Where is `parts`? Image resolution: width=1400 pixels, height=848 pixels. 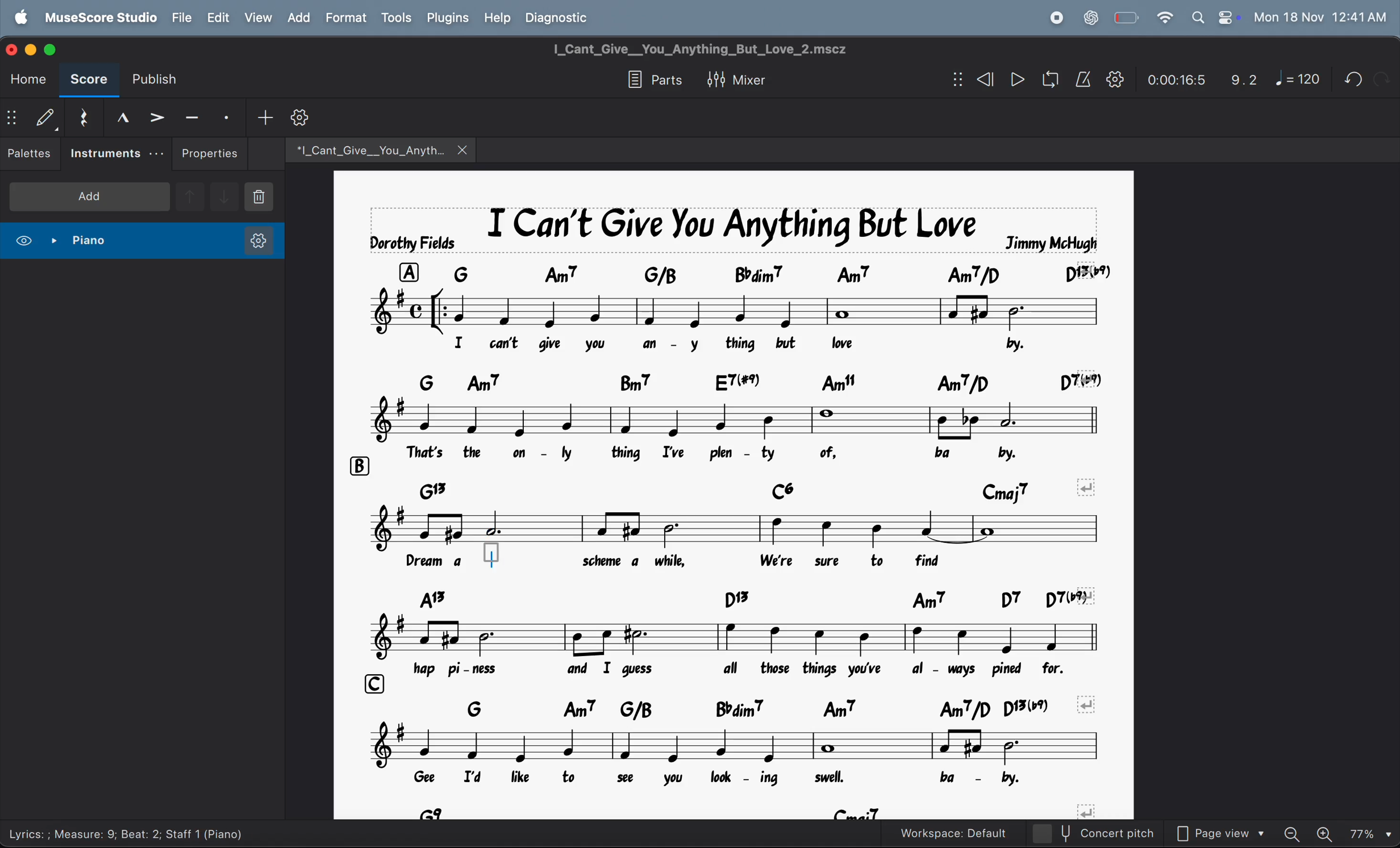 parts is located at coordinates (648, 80).